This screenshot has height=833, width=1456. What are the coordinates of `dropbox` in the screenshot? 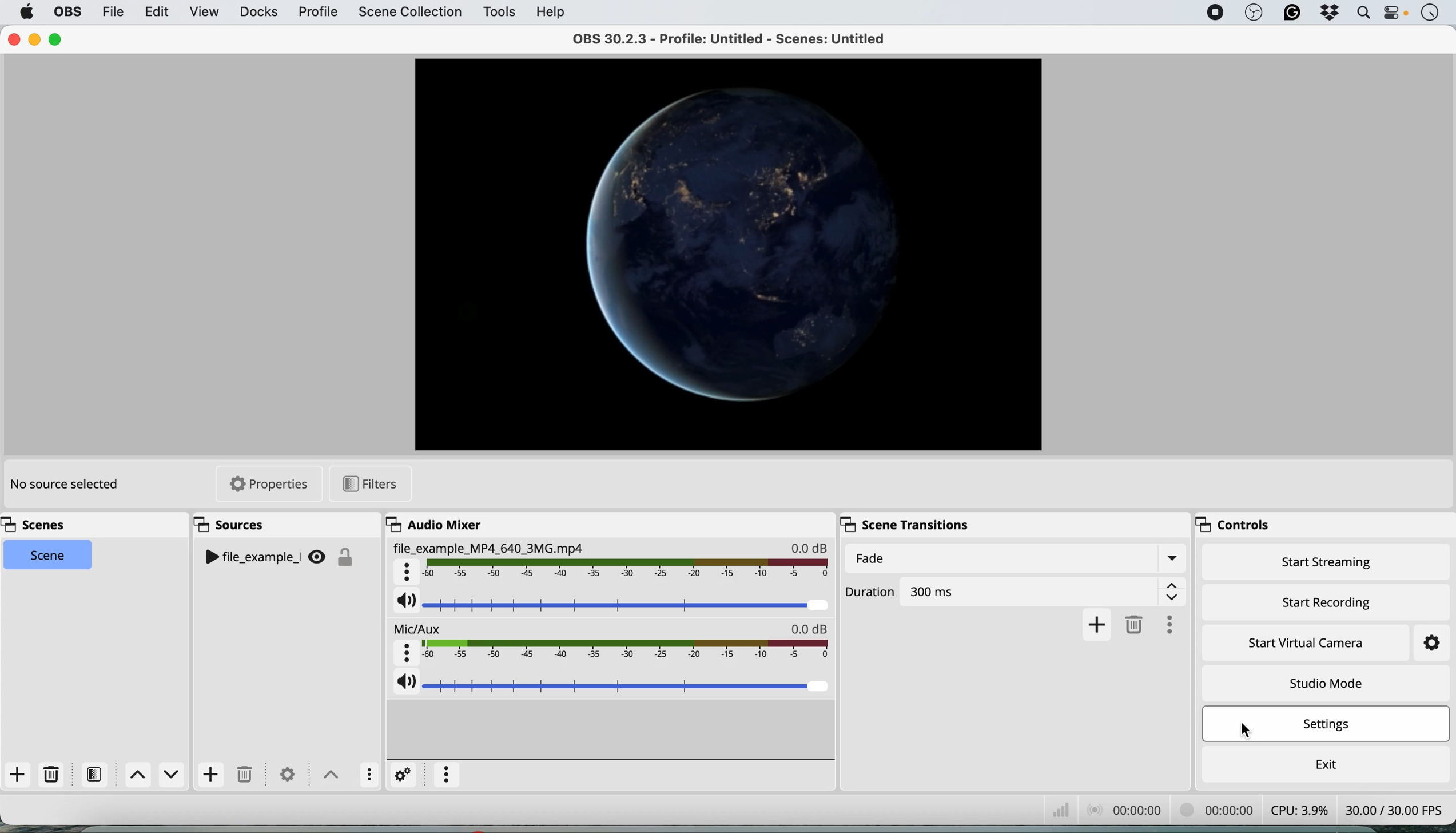 It's located at (1328, 14).